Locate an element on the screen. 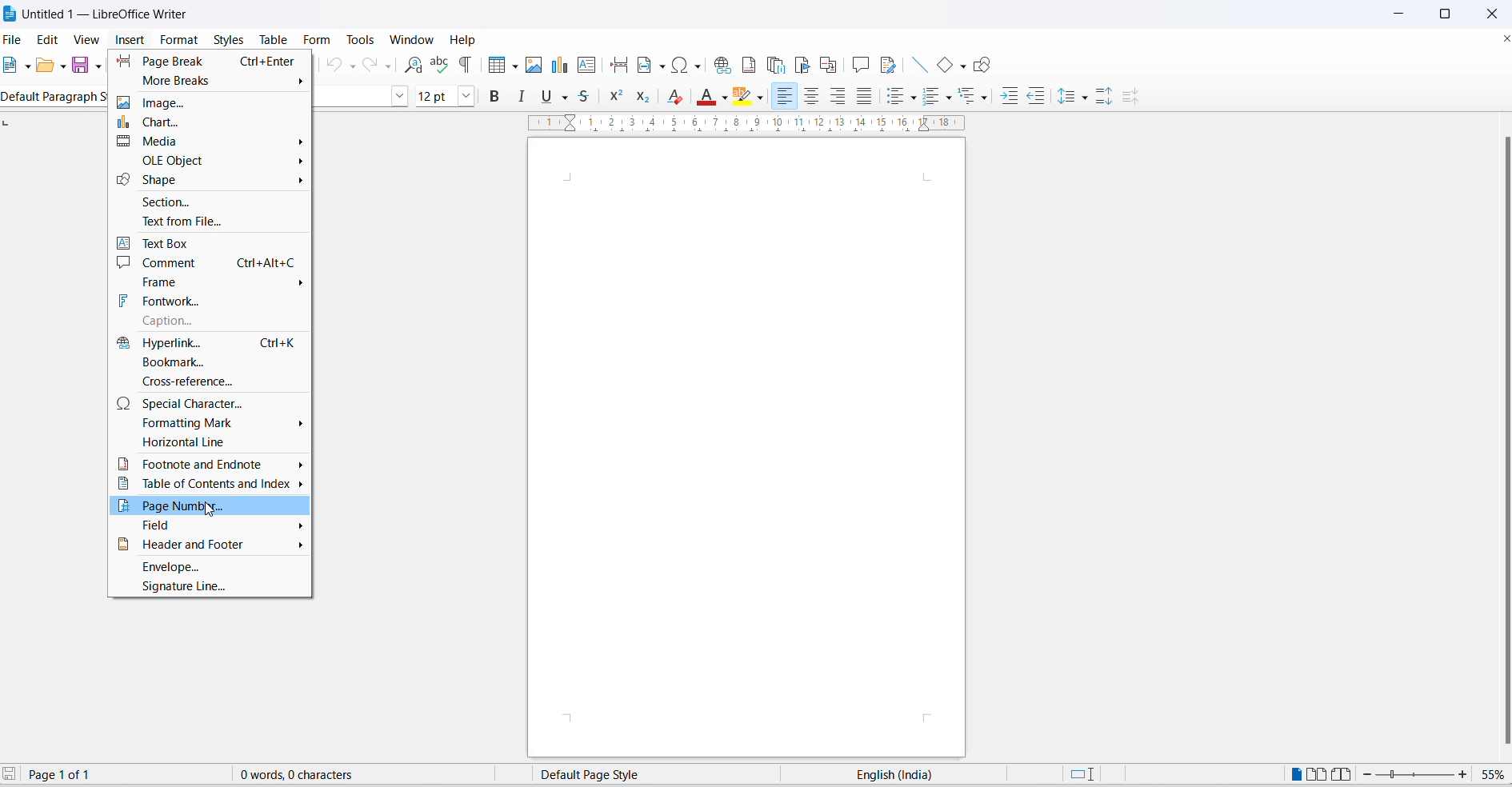 The image size is (1512, 787). scroll bar is located at coordinates (1502, 439).